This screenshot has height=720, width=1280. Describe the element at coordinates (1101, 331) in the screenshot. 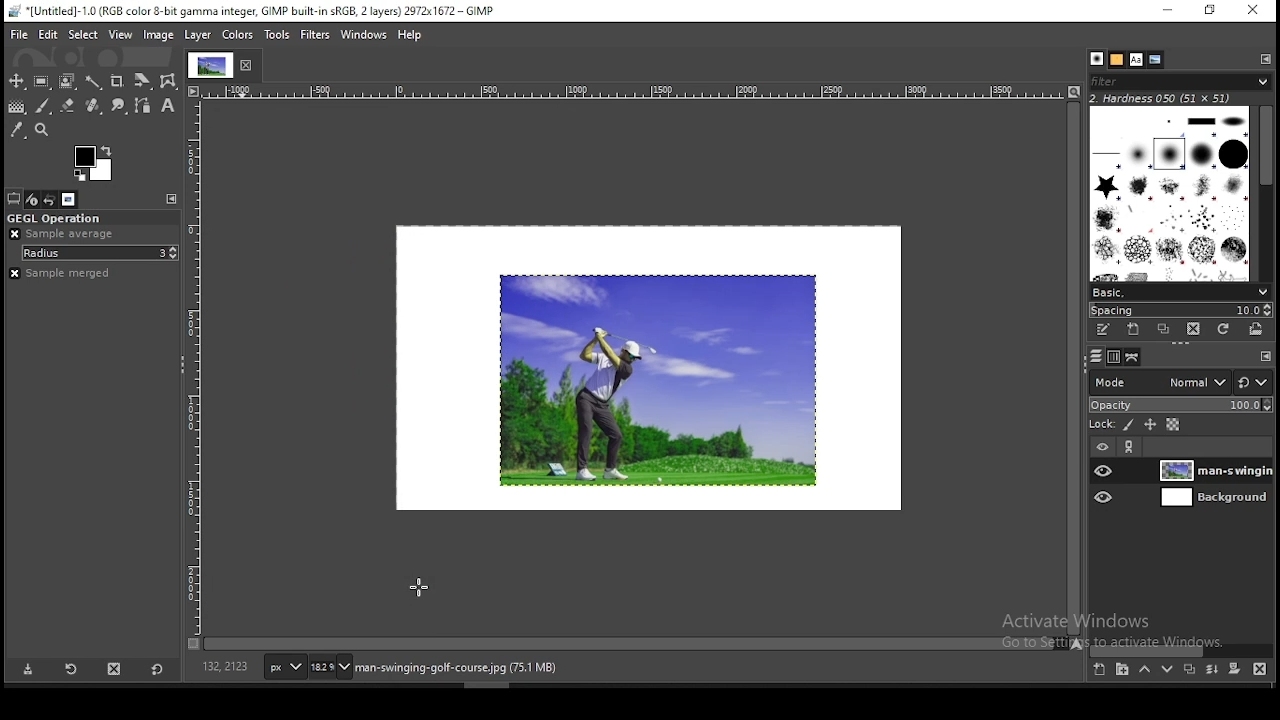

I see `edit this brush` at that location.